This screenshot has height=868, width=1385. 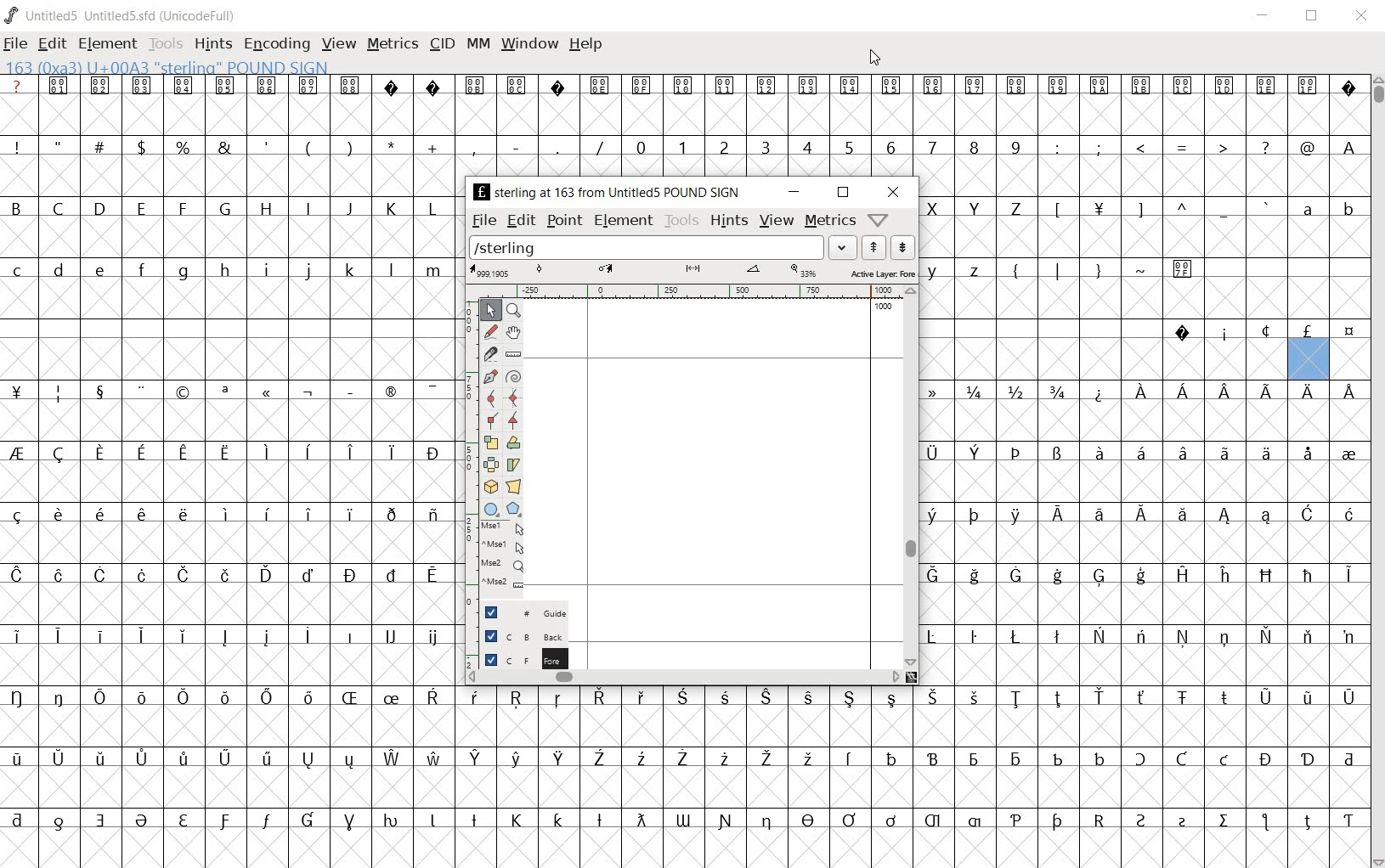 I want to click on Spiro, so click(x=513, y=375).